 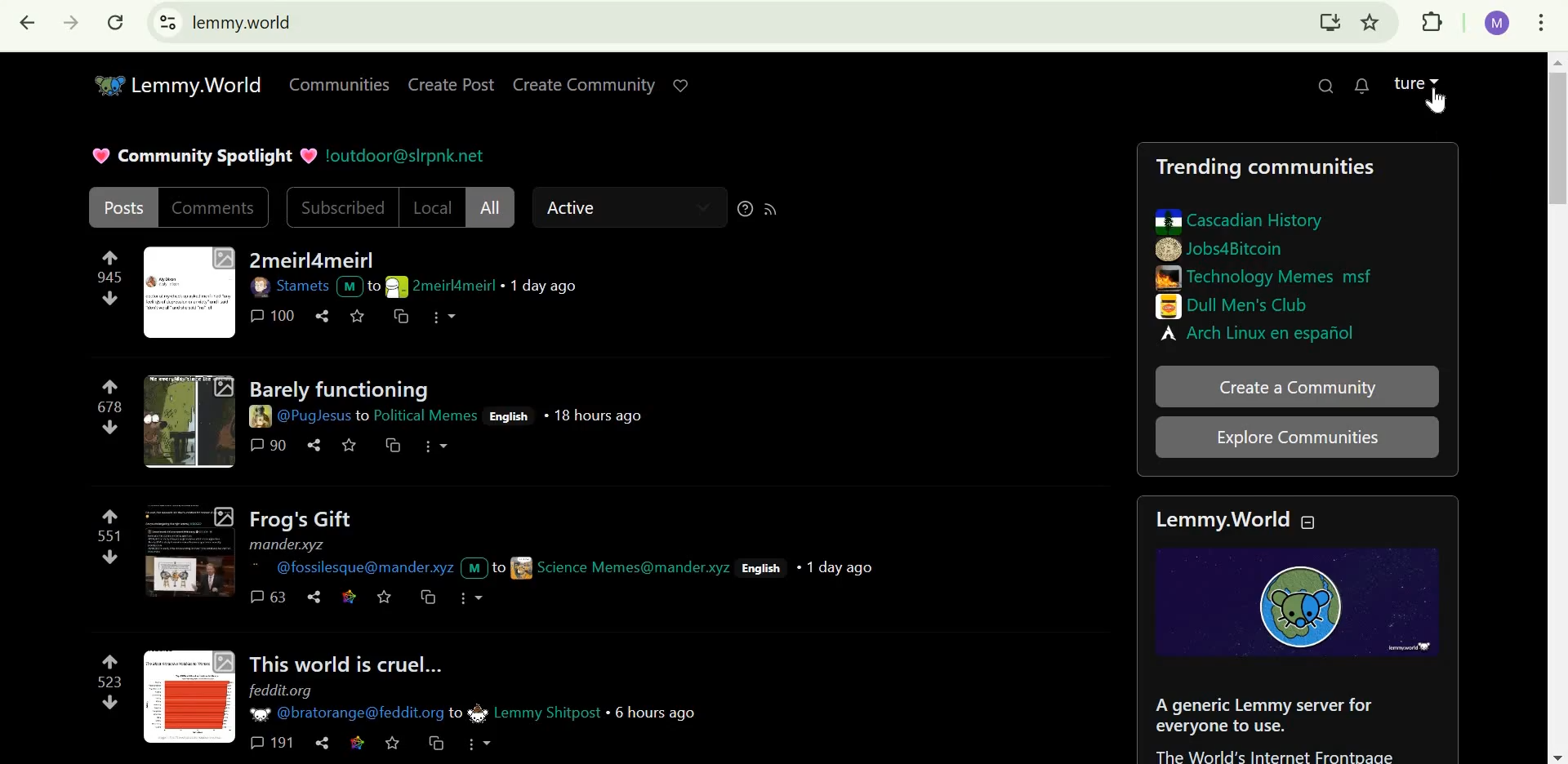 What do you see at coordinates (1364, 84) in the screenshot?
I see `0 unread messages` at bounding box center [1364, 84].